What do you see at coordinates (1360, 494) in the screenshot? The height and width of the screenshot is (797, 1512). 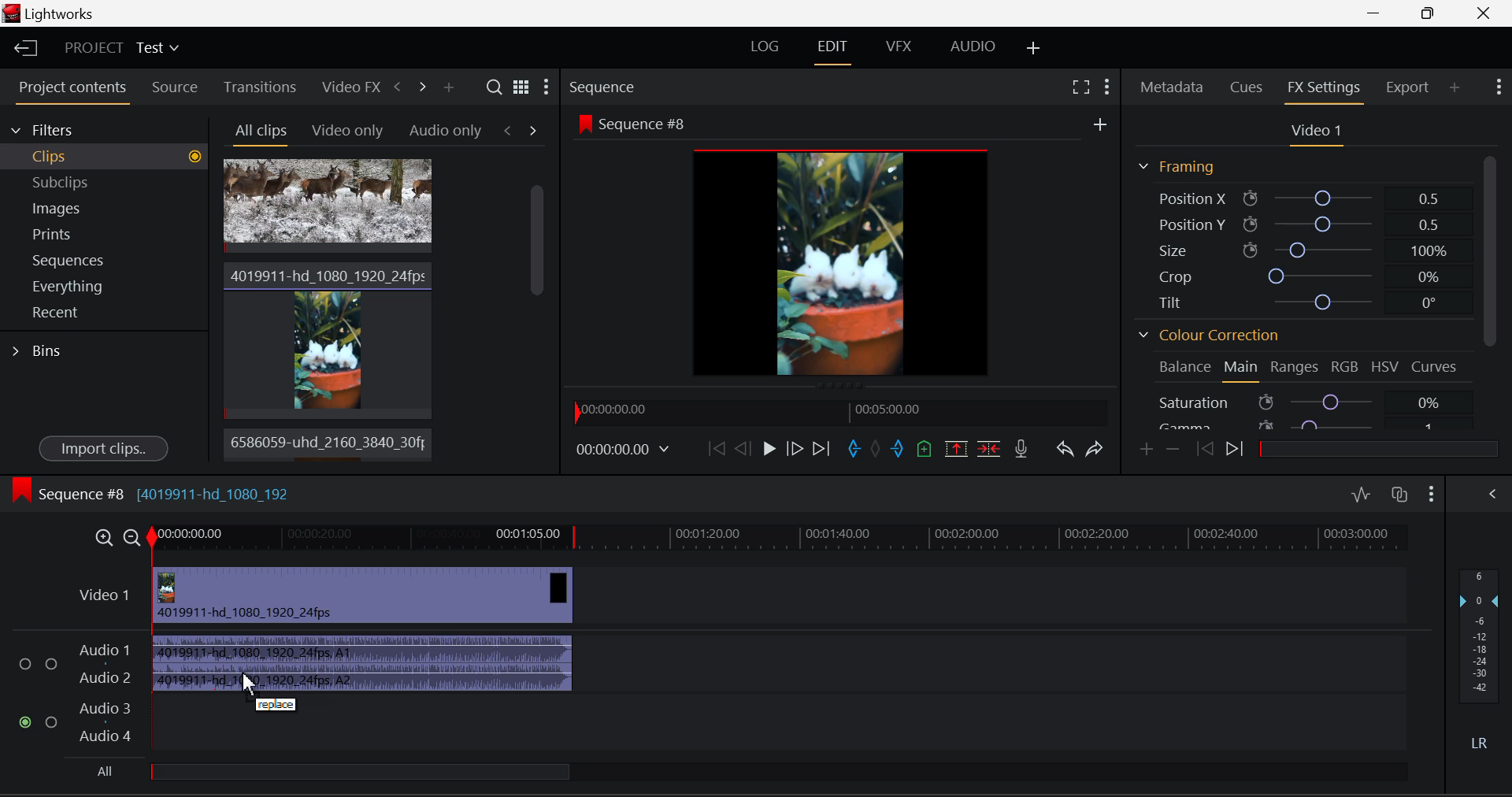 I see `Toggle audio levels editing` at bounding box center [1360, 494].